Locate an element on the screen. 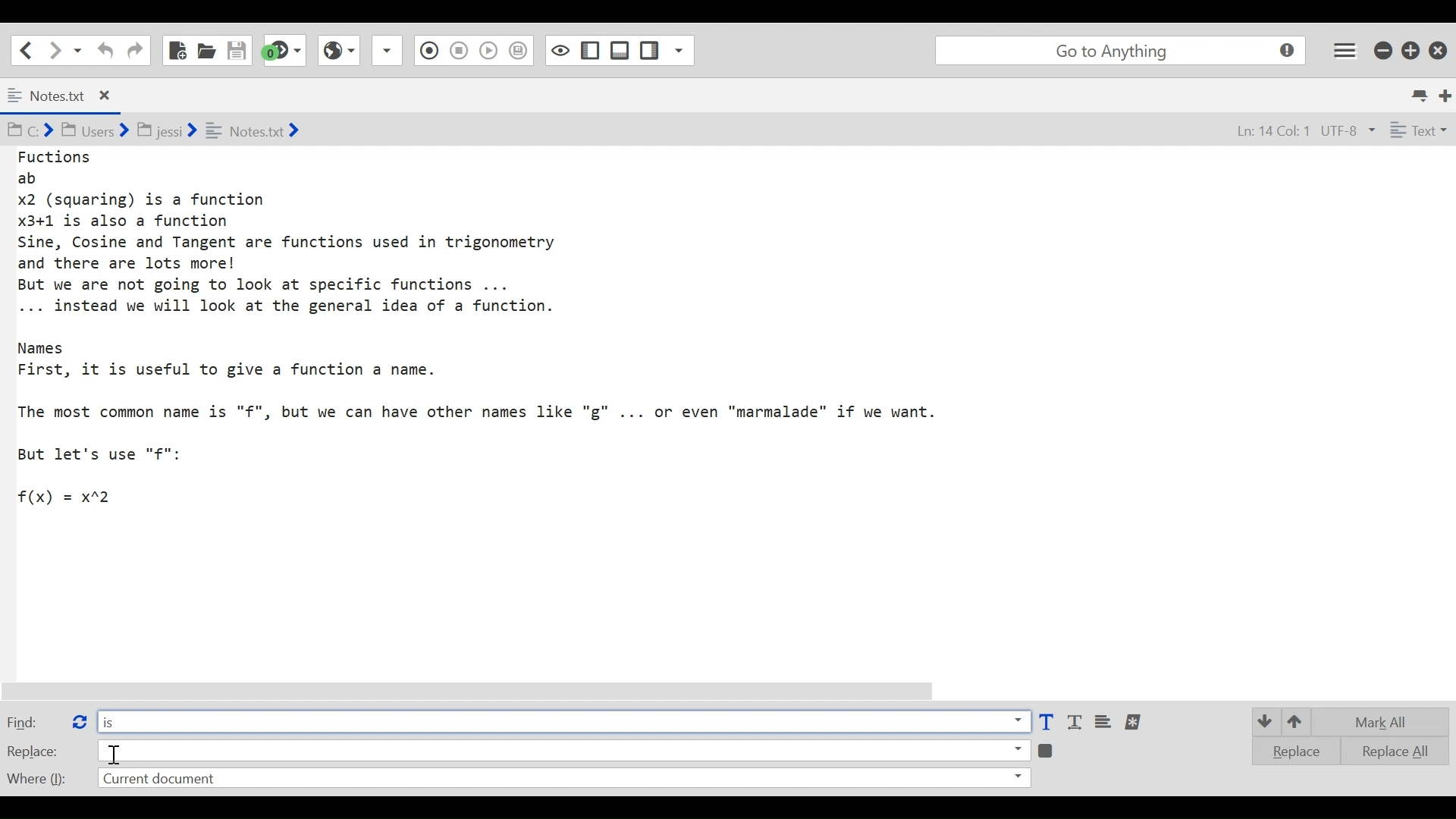  Insertion Cursor is located at coordinates (116, 755).